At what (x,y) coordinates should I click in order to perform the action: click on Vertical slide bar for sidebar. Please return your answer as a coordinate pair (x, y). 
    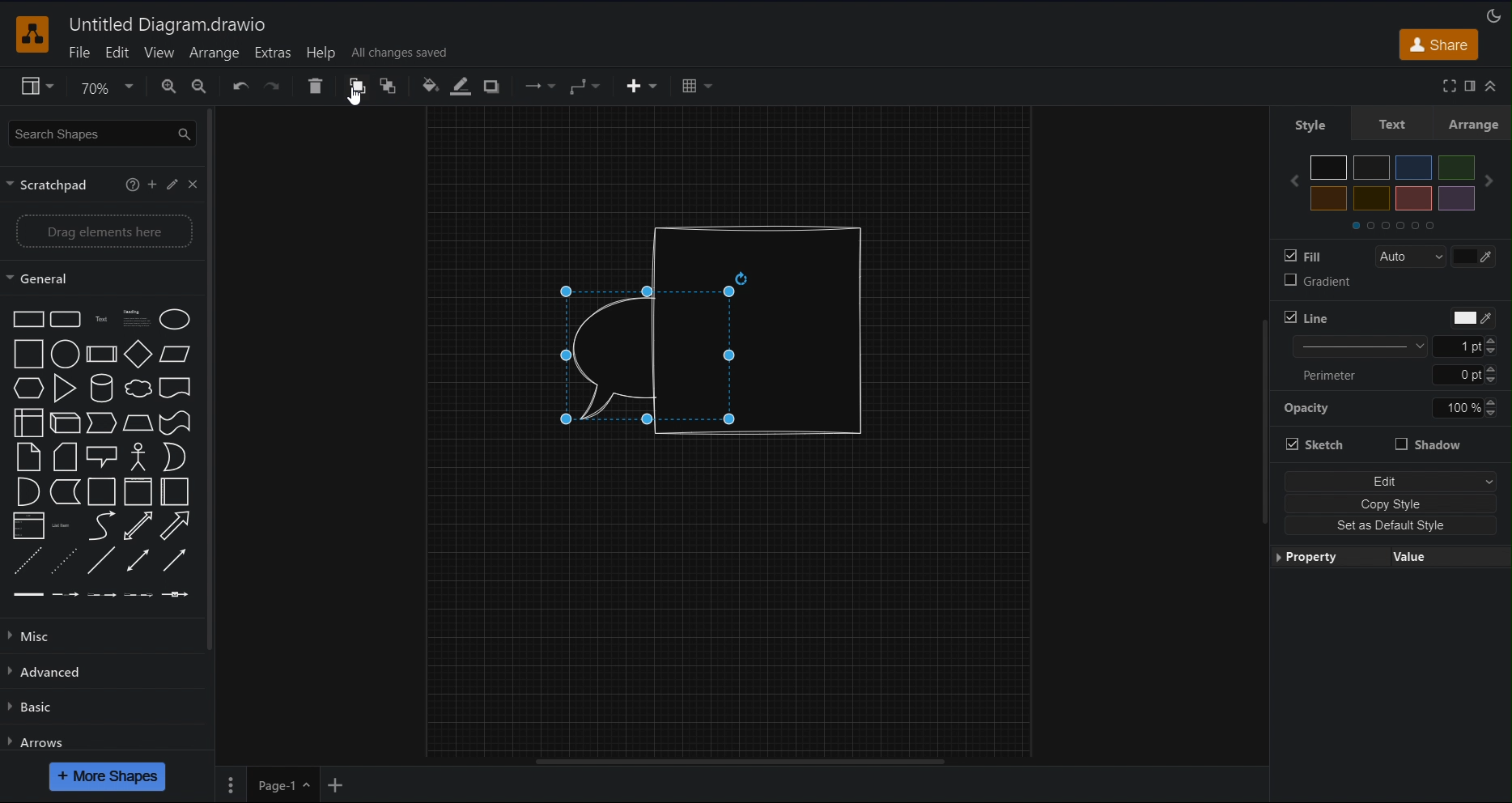
    Looking at the image, I should click on (209, 380).